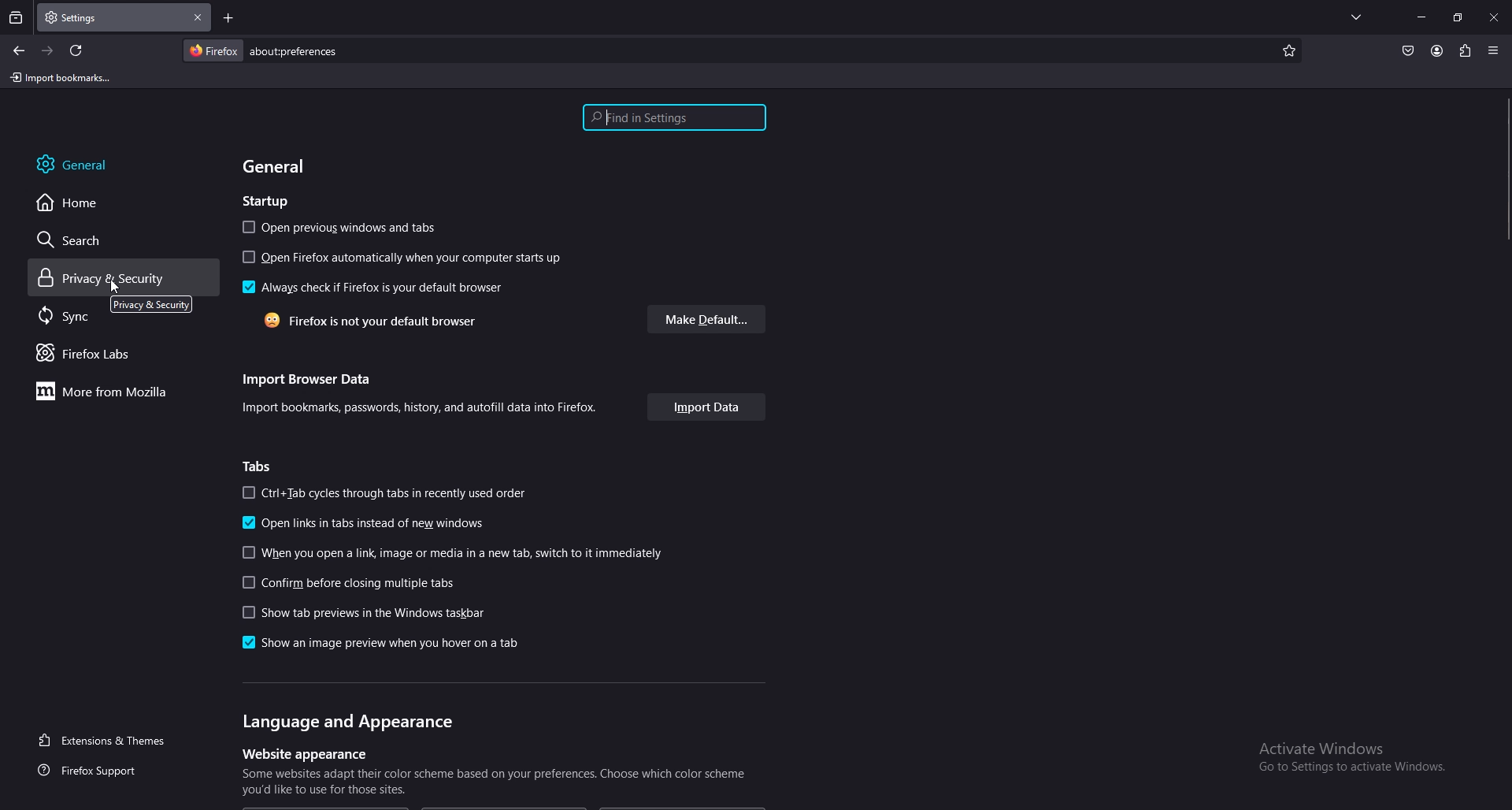 The height and width of the screenshot is (810, 1512). I want to click on tab, so click(82, 18).